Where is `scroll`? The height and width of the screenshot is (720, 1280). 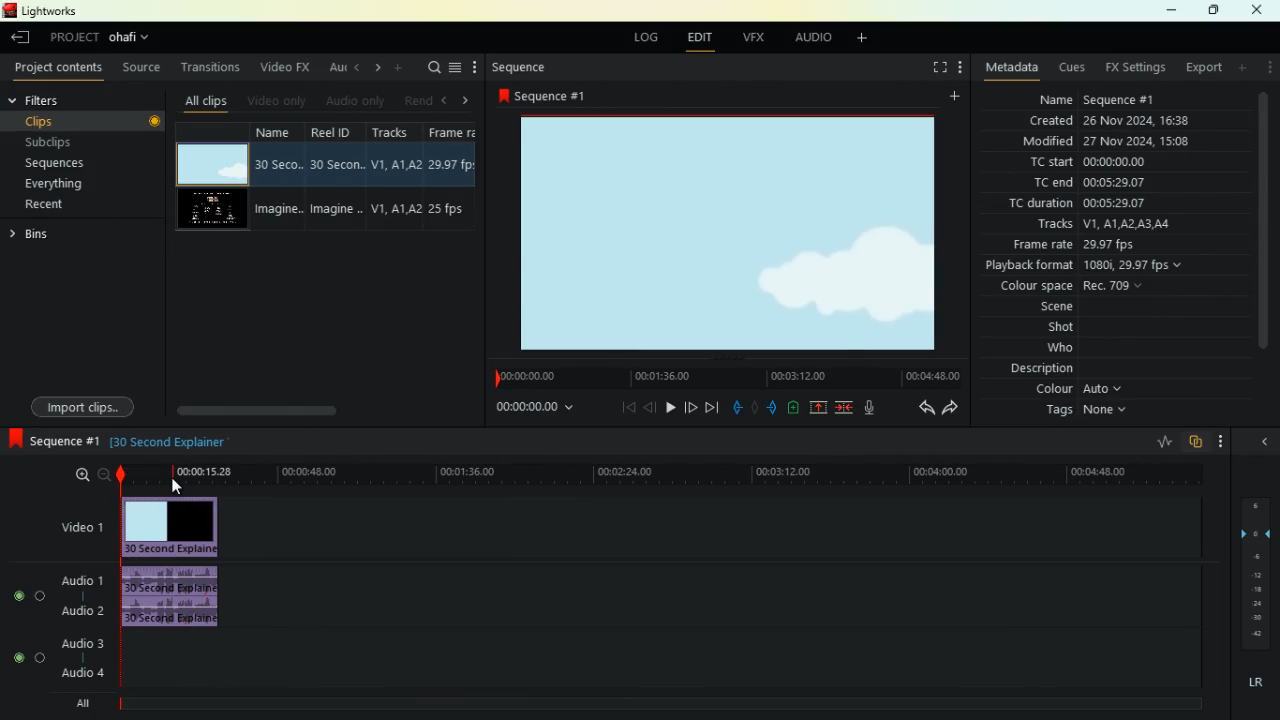 scroll is located at coordinates (1258, 221).